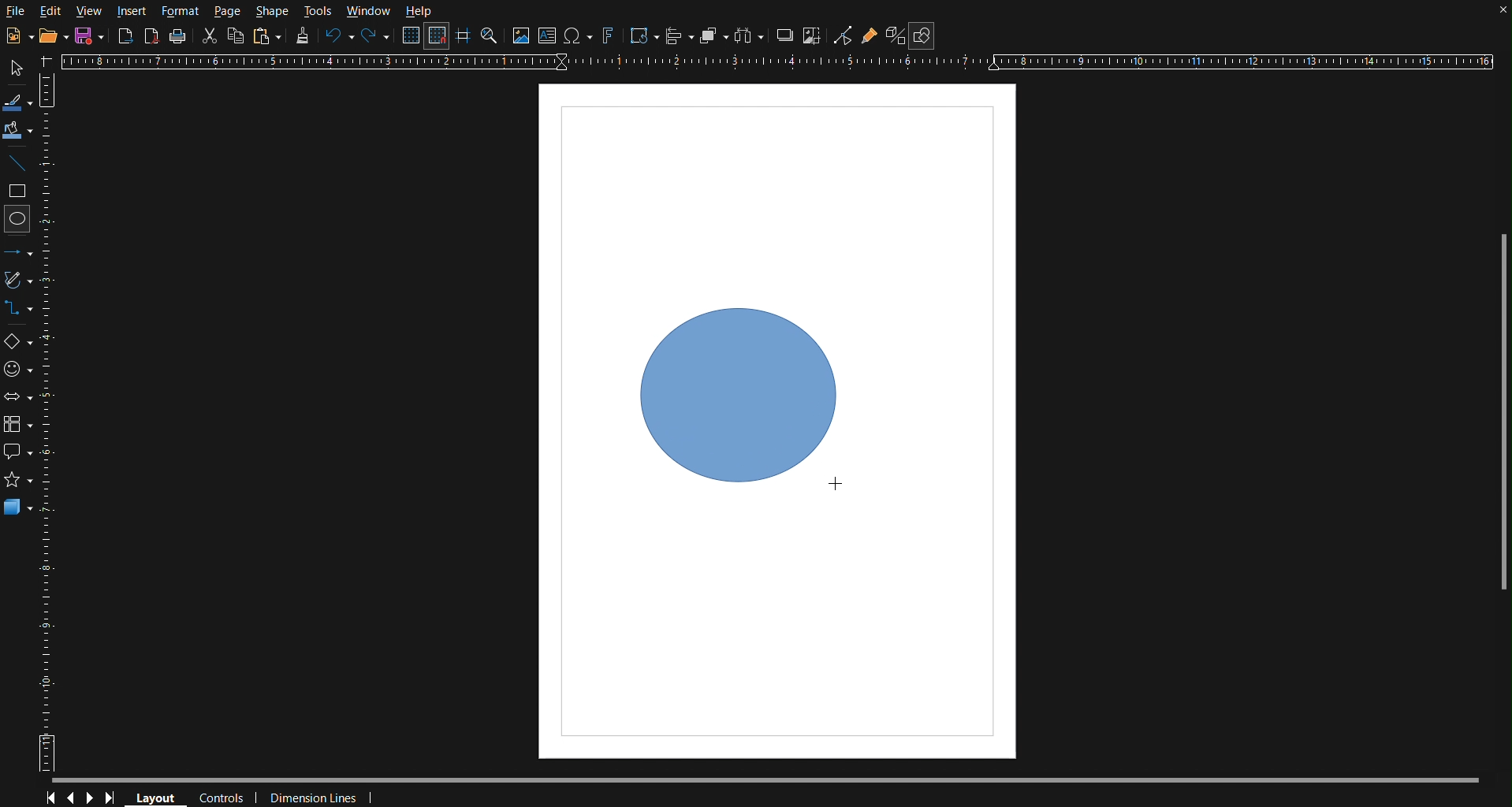 Image resolution: width=1512 pixels, height=807 pixels. What do you see at coordinates (20, 308) in the screenshot?
I see `Connectors` at bounding box center [20, 308].